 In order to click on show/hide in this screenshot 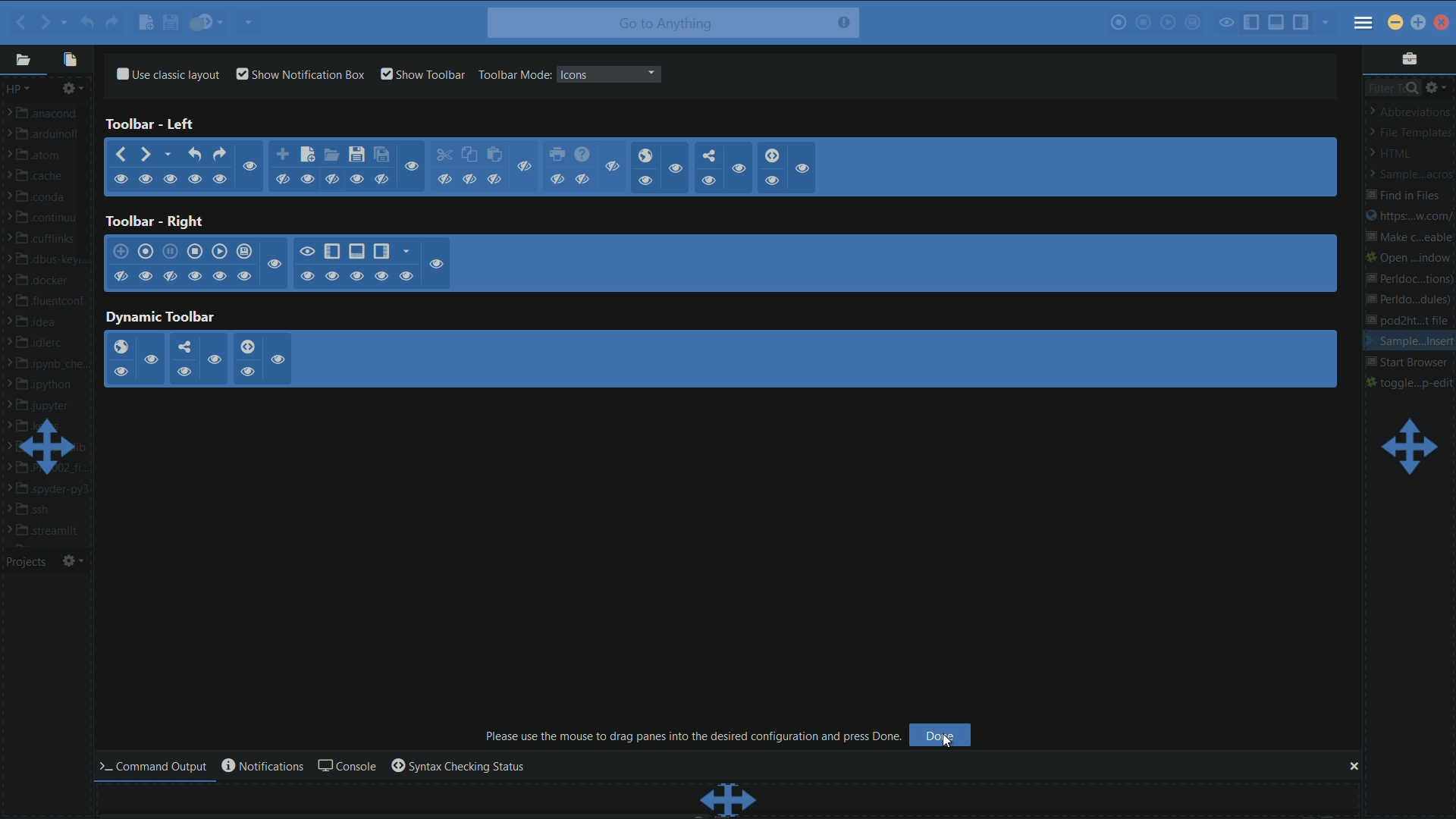, I will do `click(737, 170)`.